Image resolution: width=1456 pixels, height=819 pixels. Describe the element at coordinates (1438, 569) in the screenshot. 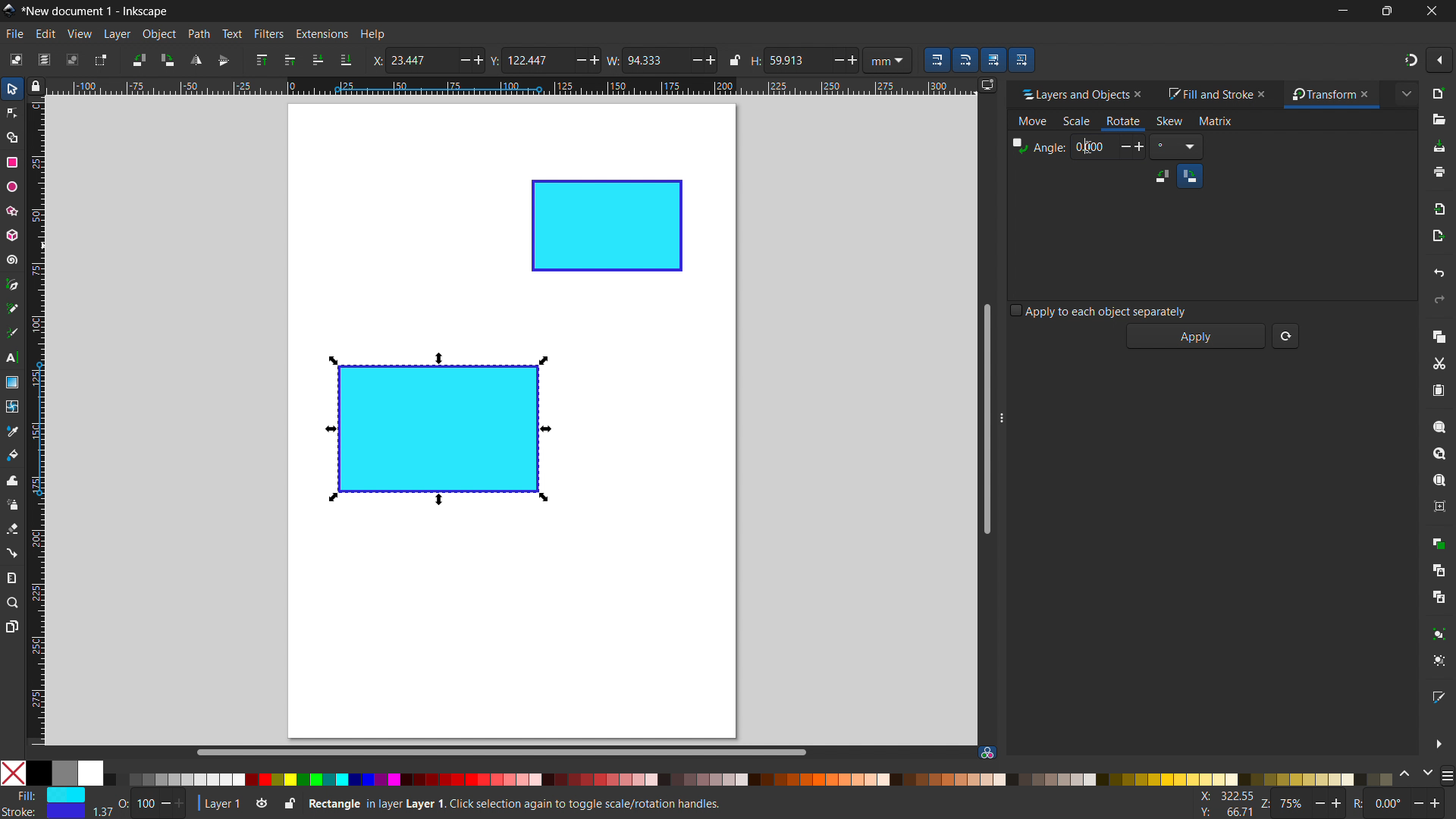

I see `create clone` at that location.